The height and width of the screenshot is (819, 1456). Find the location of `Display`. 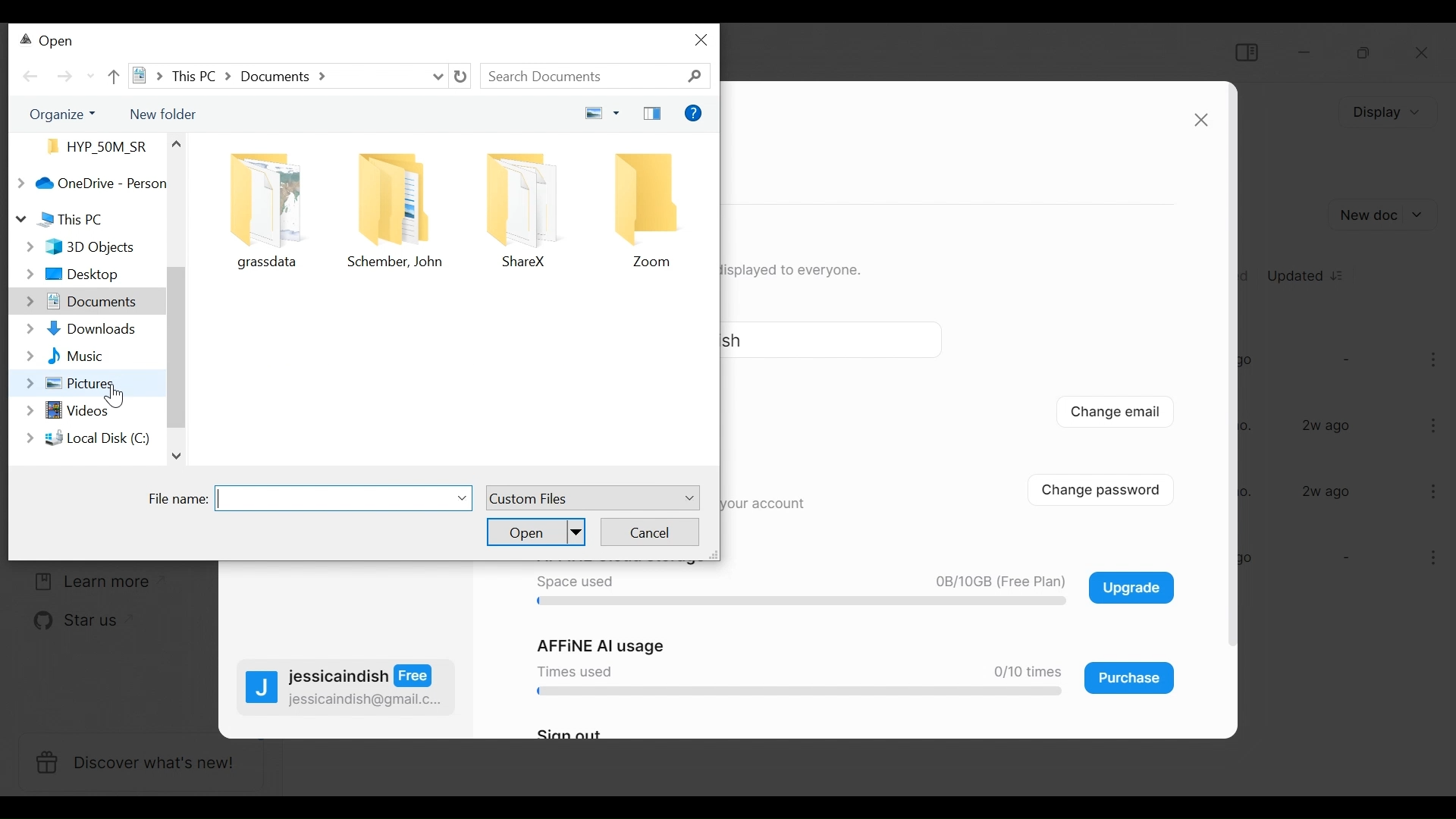

Display is located at coordinates (1384, 112).